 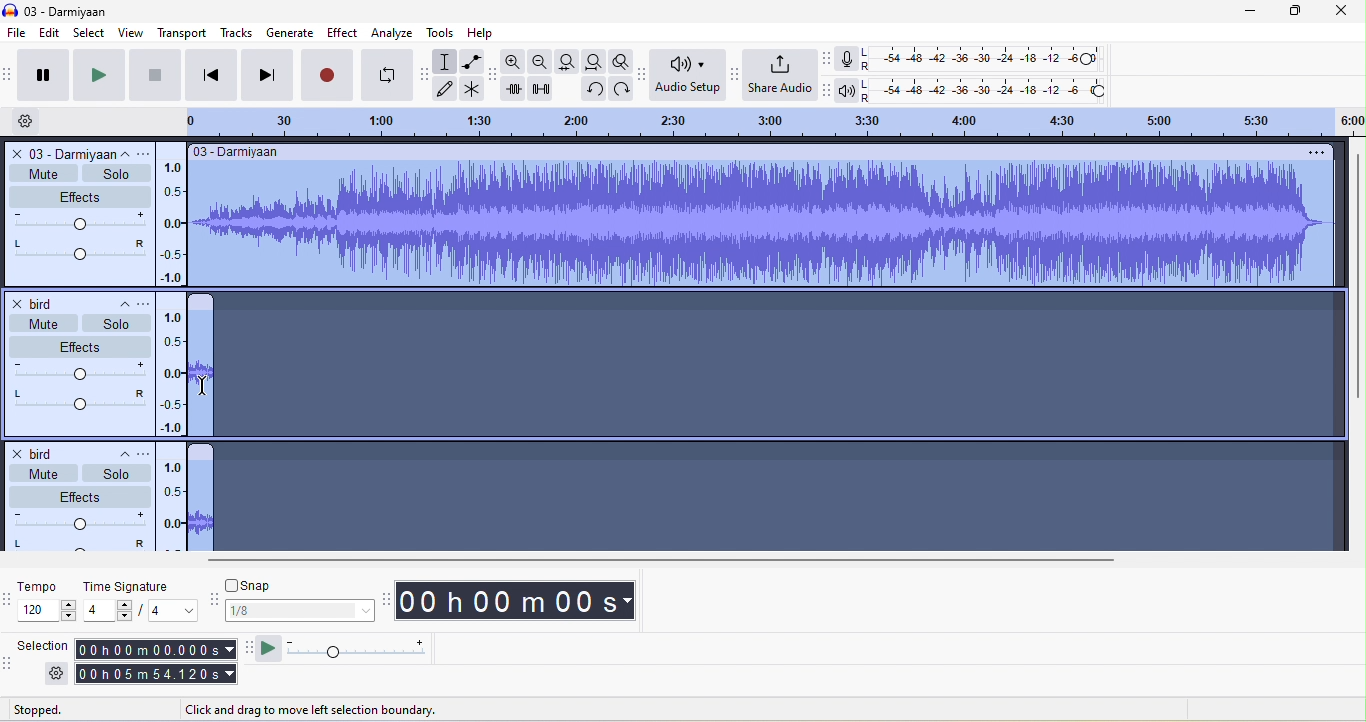 What do you see at coordinates (156, 646) in the screenshot?
I see `00 h 00 m 00. 000 s` at bounding box center [156, 646].